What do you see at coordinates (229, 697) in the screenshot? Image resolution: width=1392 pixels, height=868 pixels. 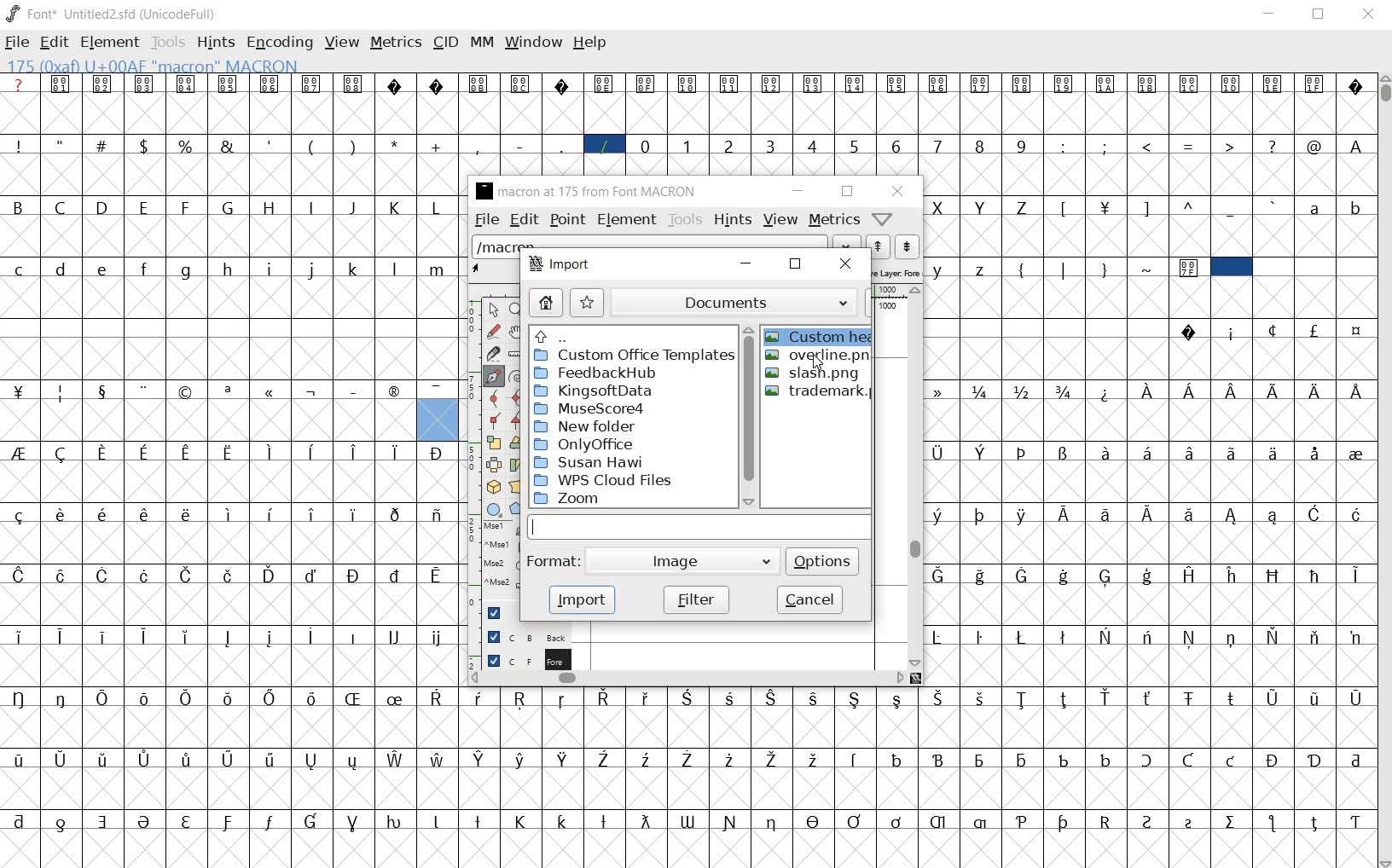 I see `Symbol` at bounding box center [229, 697].